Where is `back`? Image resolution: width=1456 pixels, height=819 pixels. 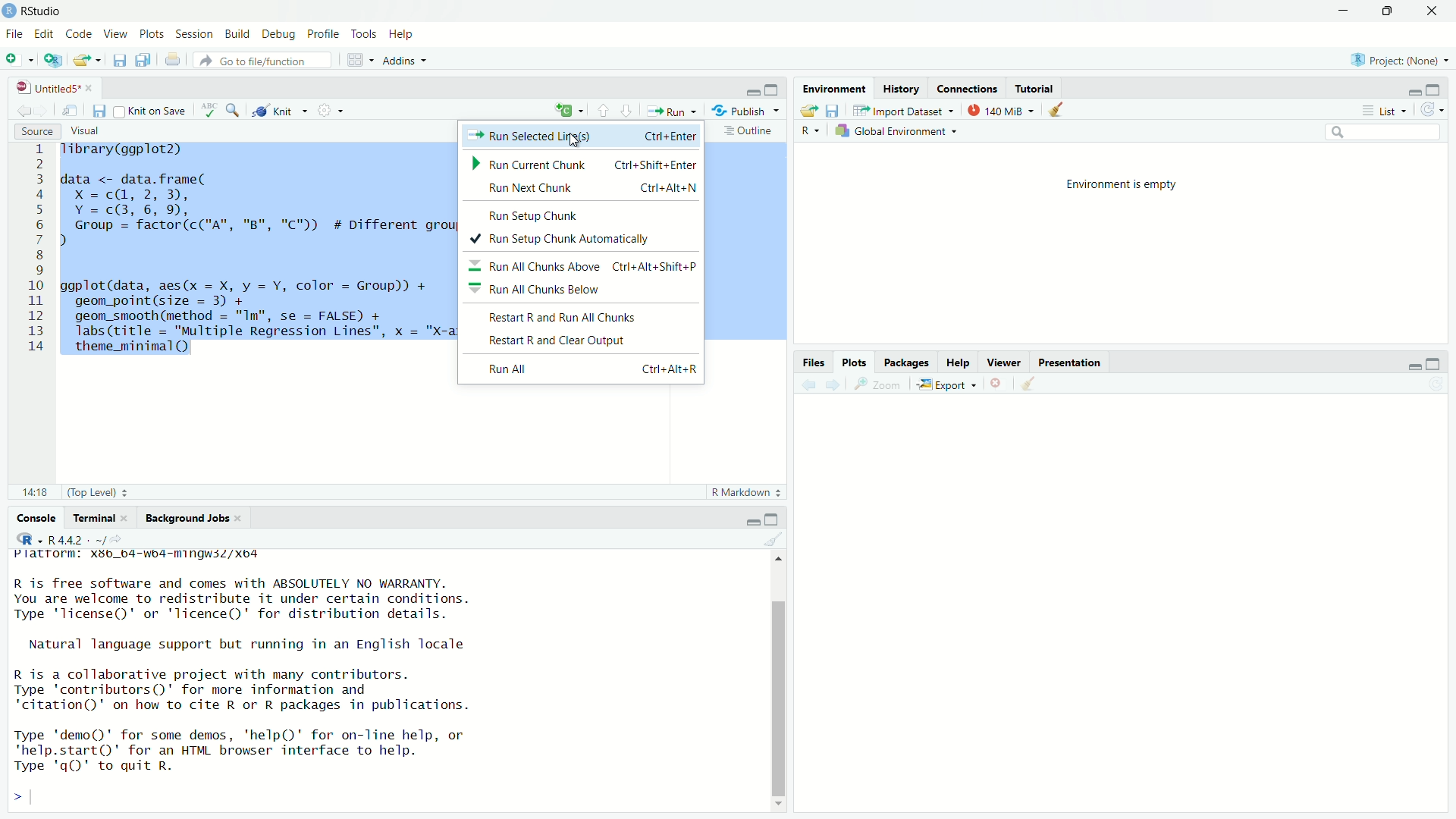 back is located at coordinates (20, 111).